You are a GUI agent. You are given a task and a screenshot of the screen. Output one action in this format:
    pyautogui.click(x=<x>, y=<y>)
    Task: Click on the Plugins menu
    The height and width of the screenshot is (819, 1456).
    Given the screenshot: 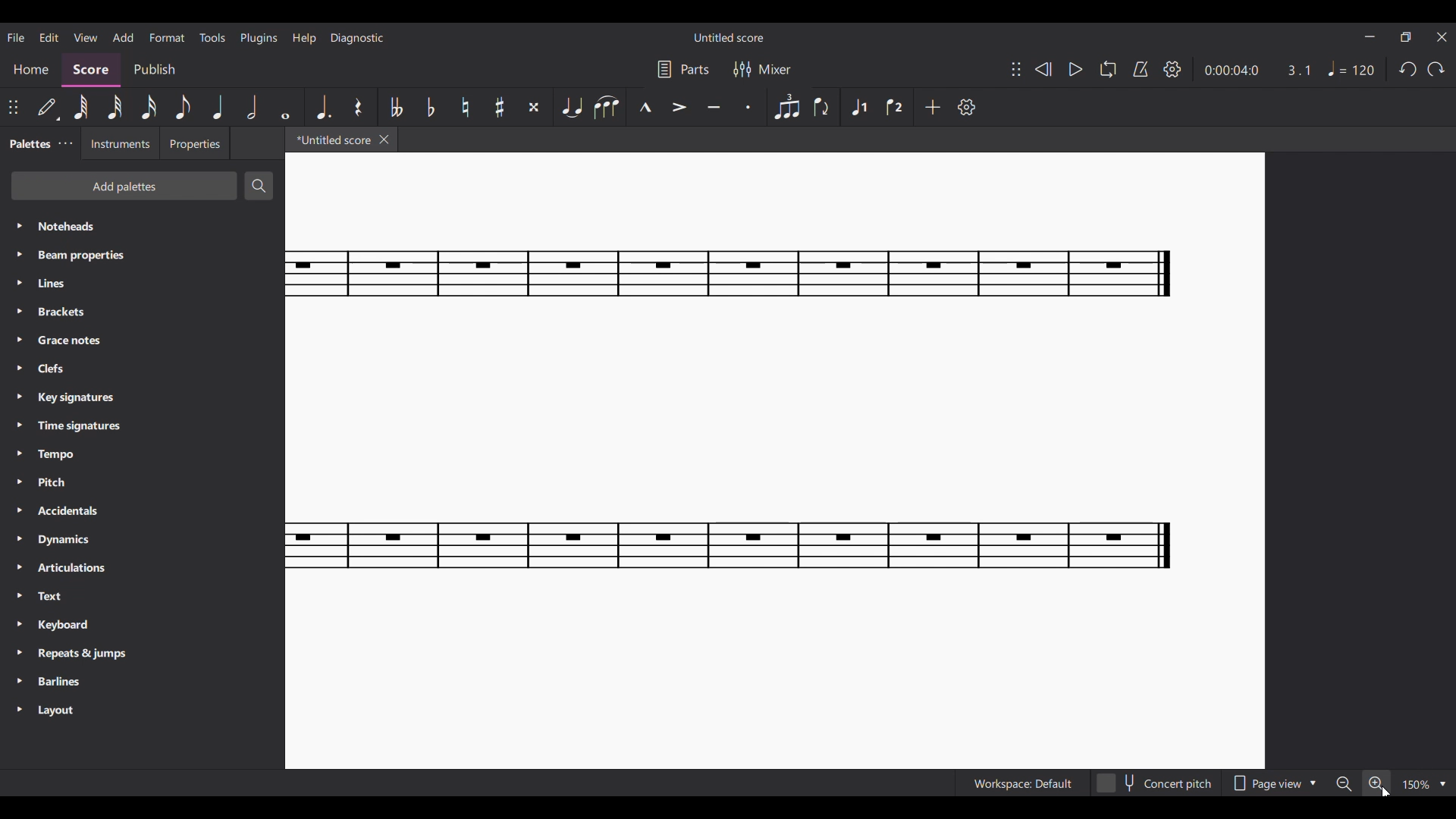 What is the action you would take?
    pyautogui.click(x=259, y=39)
    